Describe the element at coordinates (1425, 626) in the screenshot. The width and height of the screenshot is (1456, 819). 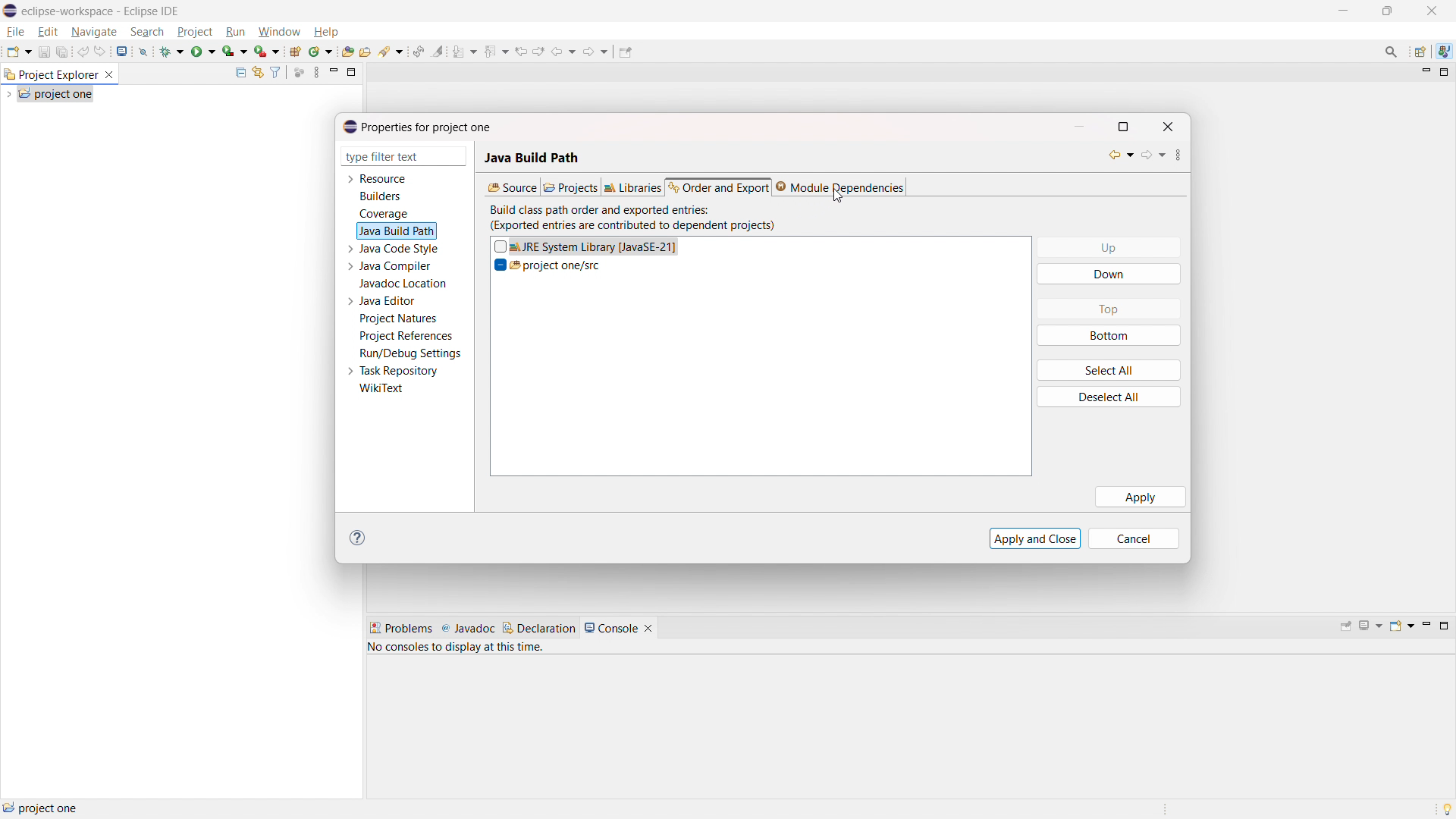
I see `minimize` at that location.